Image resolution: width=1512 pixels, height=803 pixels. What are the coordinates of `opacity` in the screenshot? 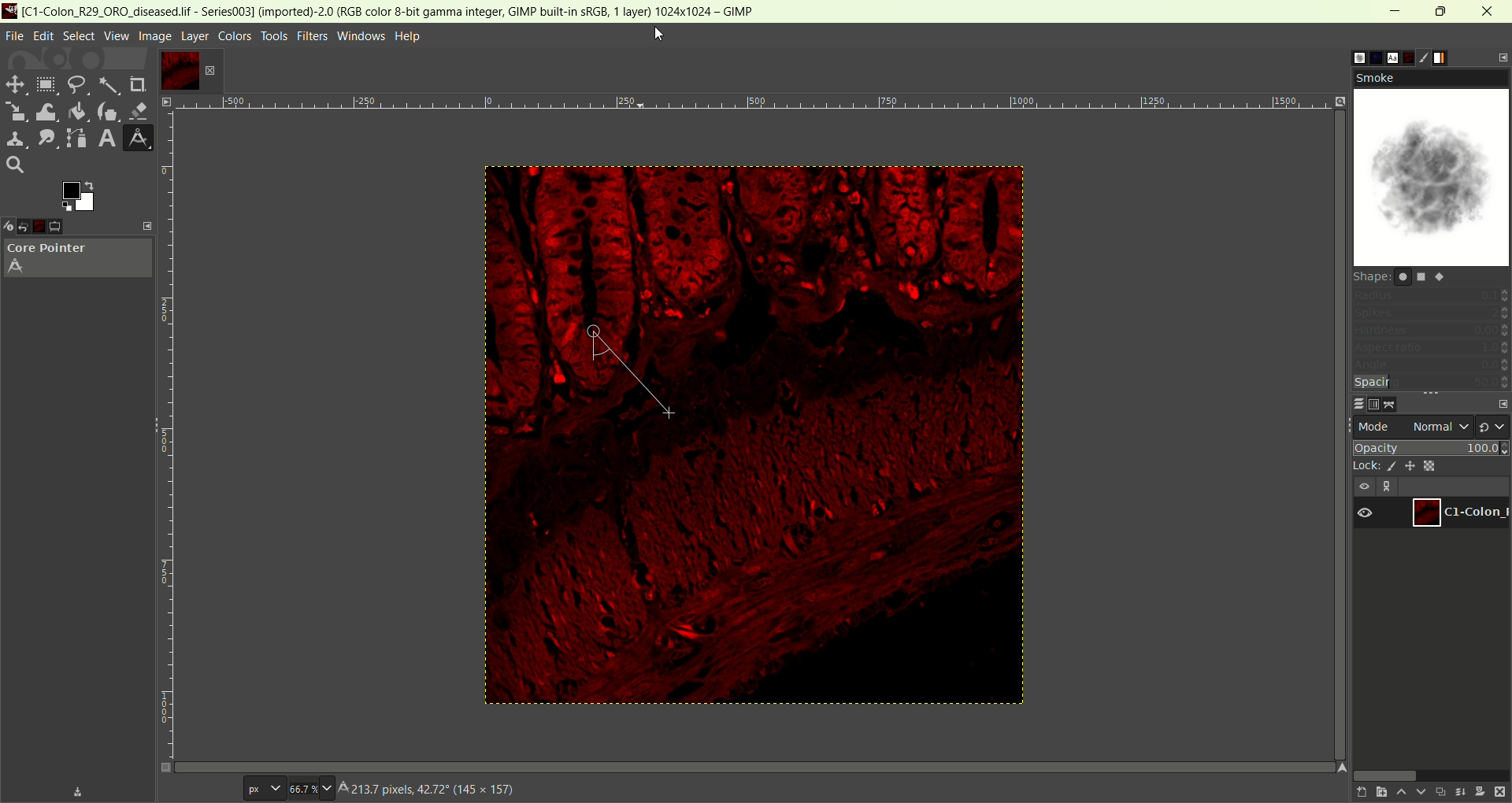 It's located at (1432, 446).